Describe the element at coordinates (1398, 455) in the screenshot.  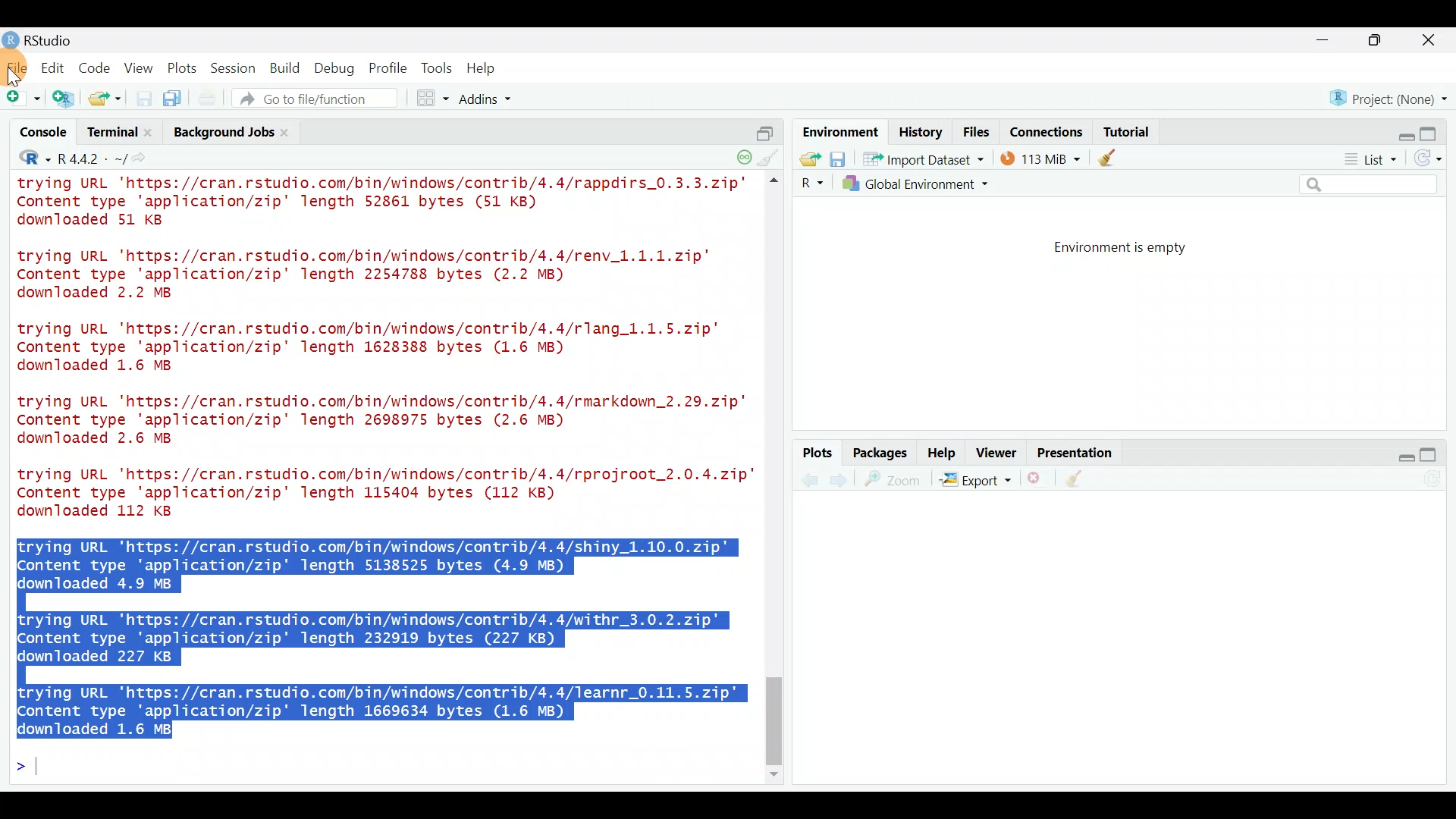
I see `Restore down` at that location.